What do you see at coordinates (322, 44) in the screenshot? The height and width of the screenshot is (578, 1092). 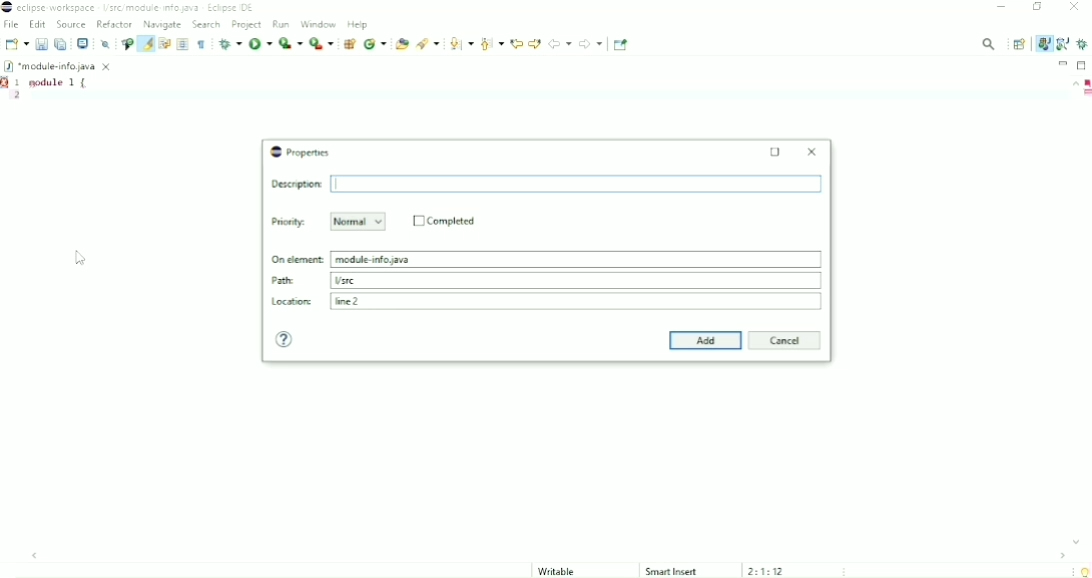 I see `Run last tool` at bounding box center [322, 44].